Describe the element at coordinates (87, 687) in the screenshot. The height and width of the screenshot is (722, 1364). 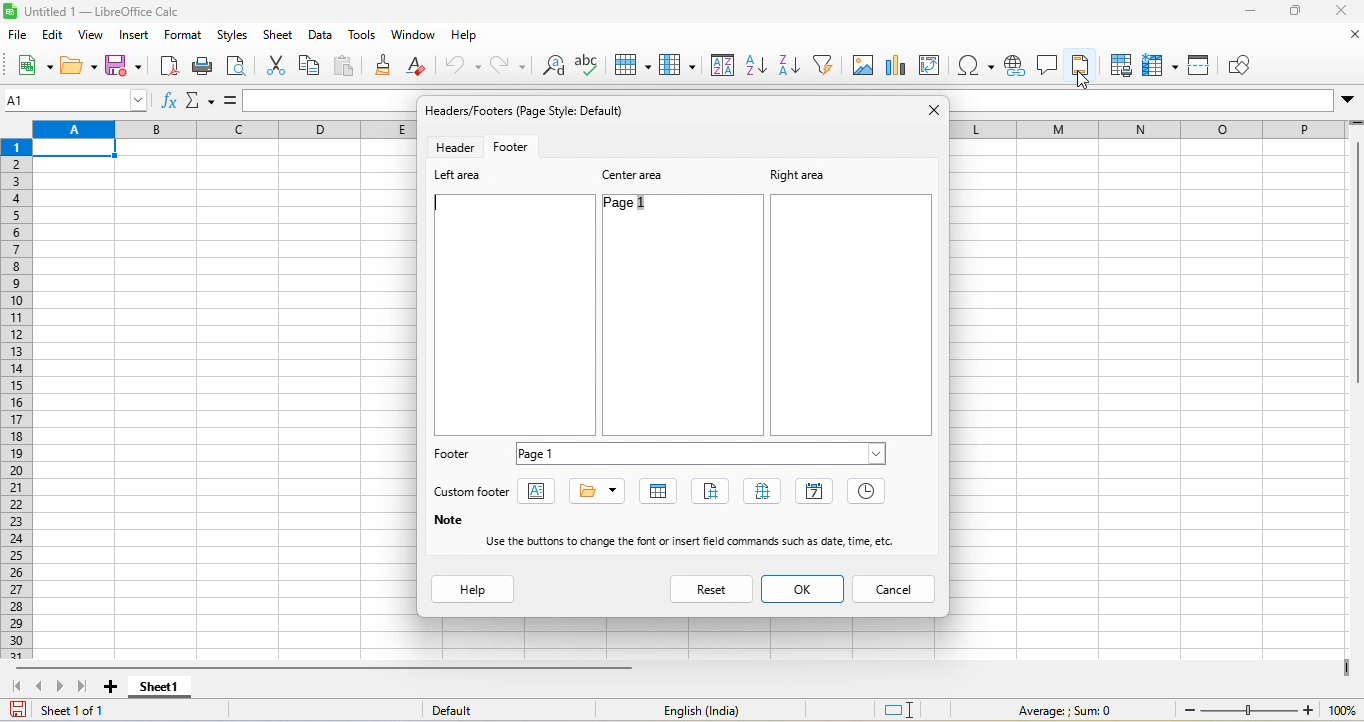
I see `last sheet` at that location.